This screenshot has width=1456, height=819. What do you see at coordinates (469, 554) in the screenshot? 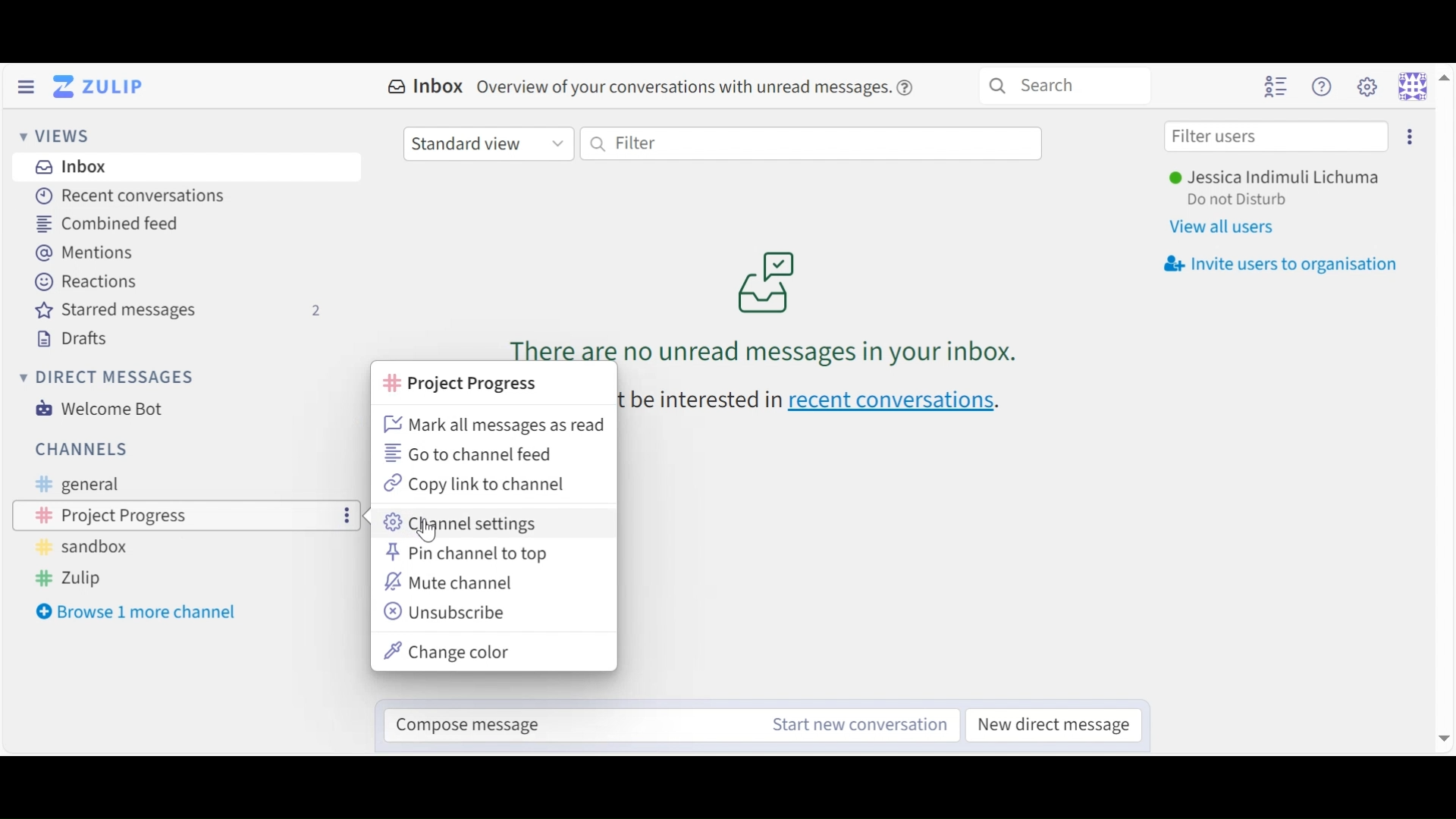
I see `Pin Channel to top` at bounding box center [469, 554].